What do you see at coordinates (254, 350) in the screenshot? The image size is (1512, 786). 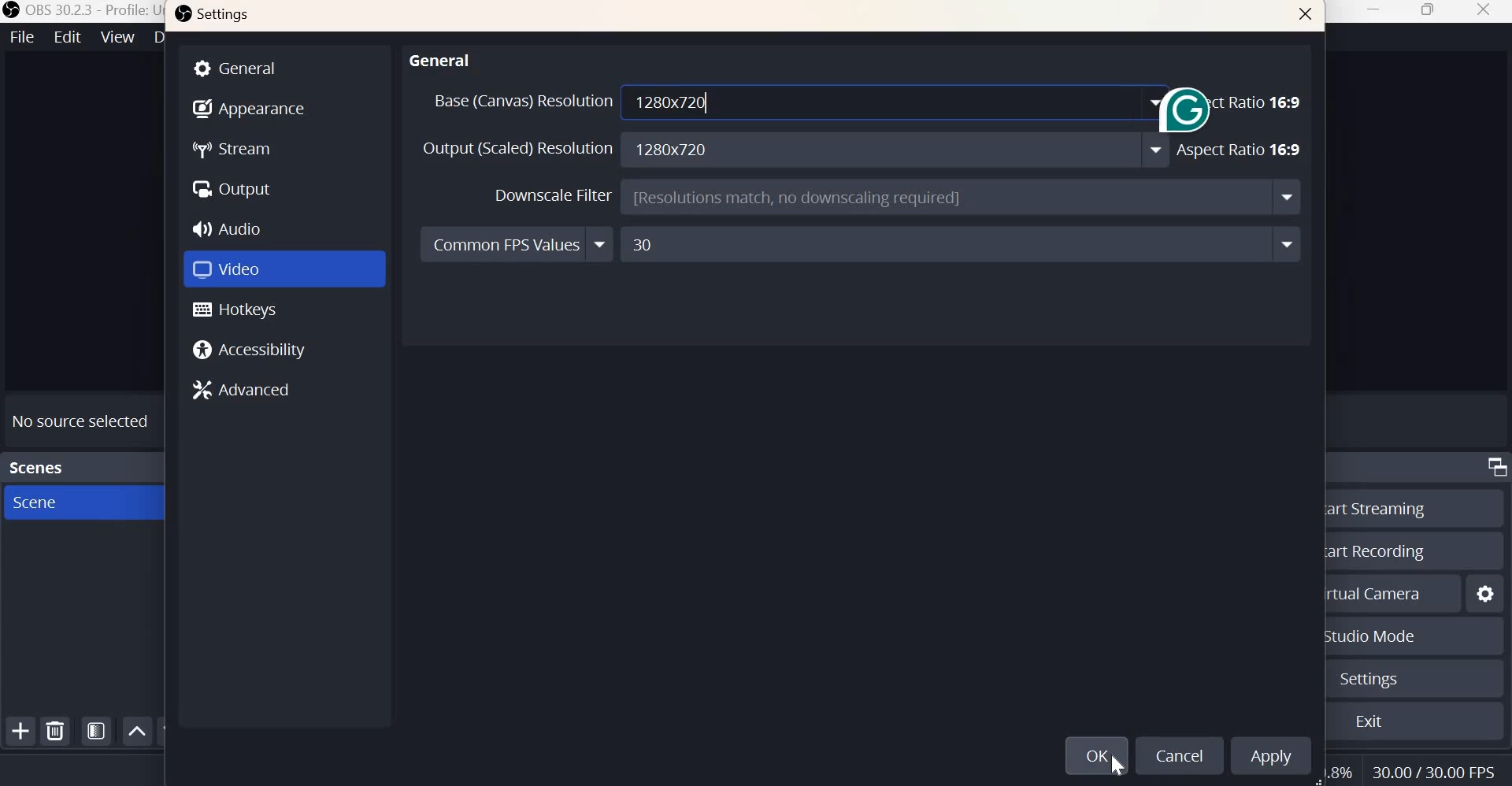 I see `Accessibility` at bounding box center [254, 350].